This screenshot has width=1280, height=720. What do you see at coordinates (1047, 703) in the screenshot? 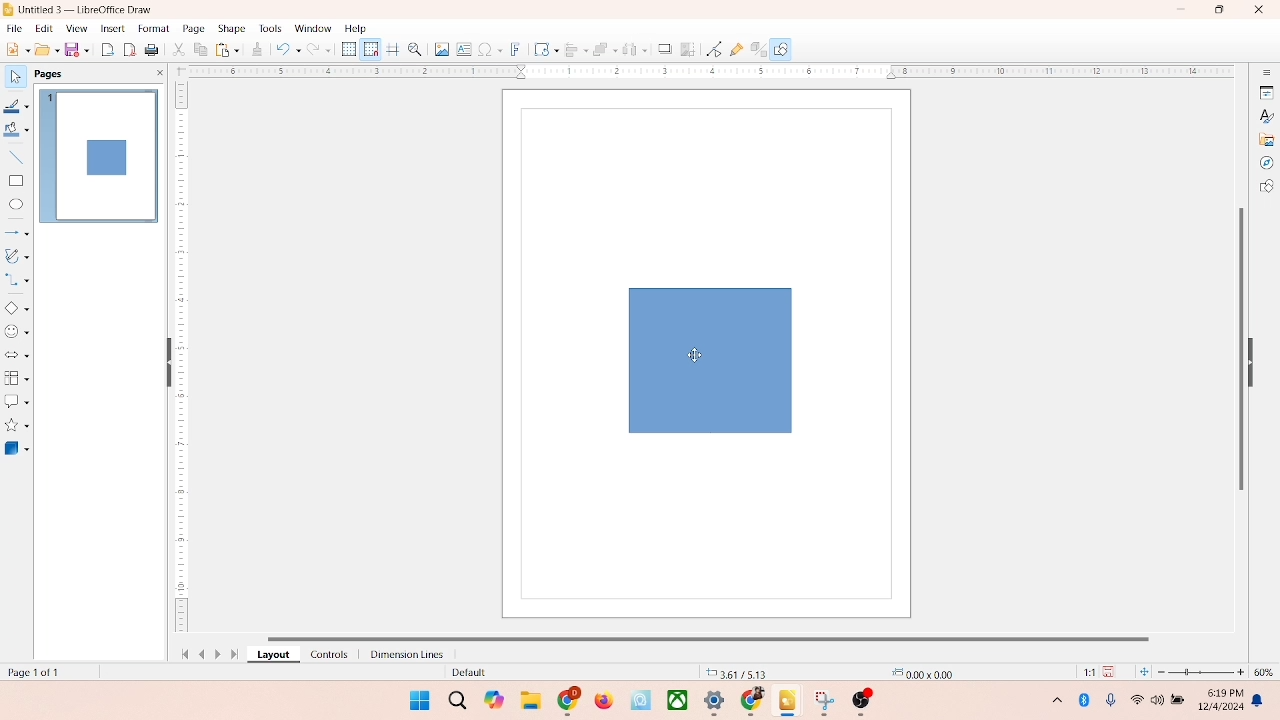
I see `hidden icons` at bounding box center [1047, 703].